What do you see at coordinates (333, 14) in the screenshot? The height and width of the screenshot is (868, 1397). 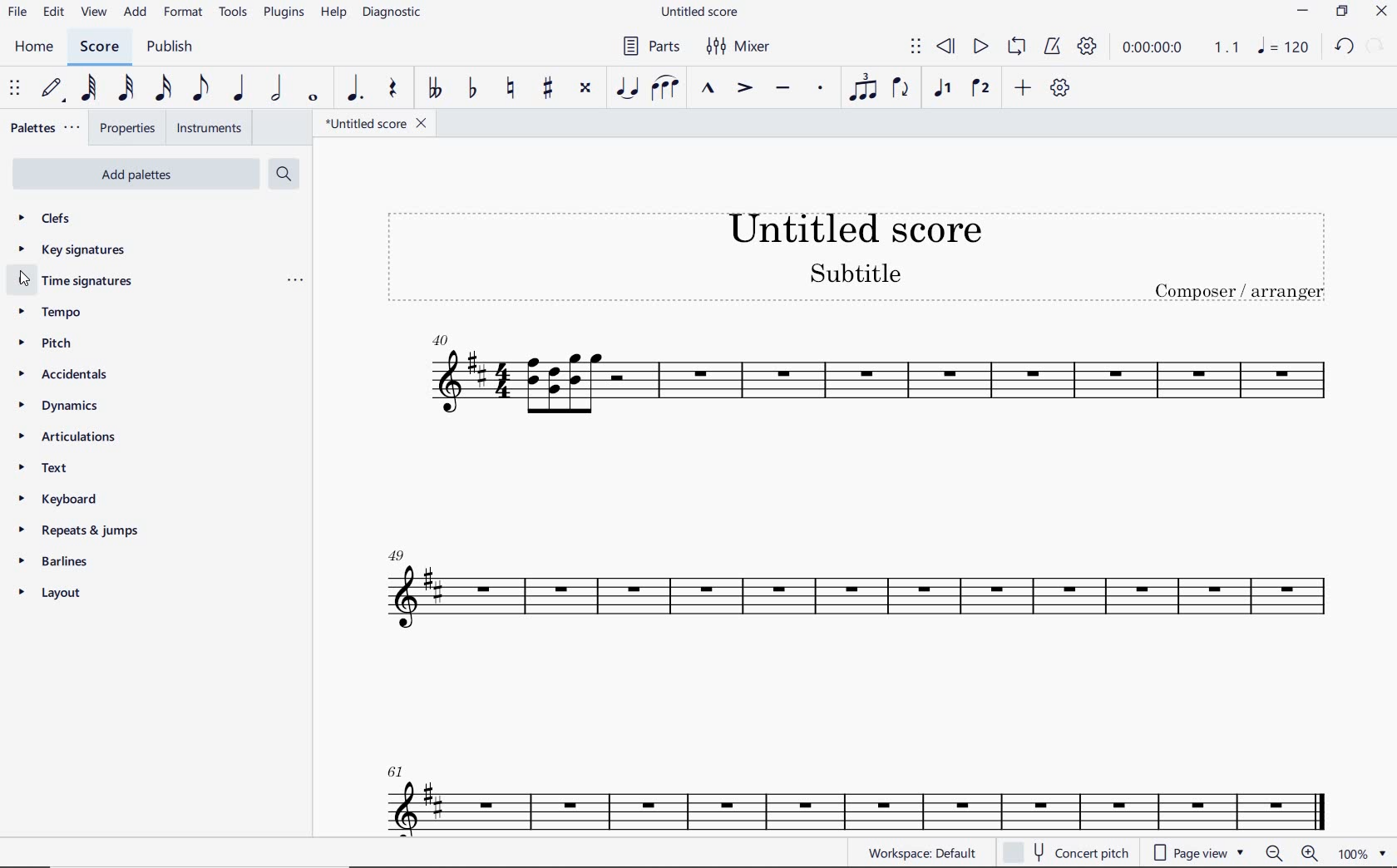 I see `HELP` at bounding box center [333, 14].